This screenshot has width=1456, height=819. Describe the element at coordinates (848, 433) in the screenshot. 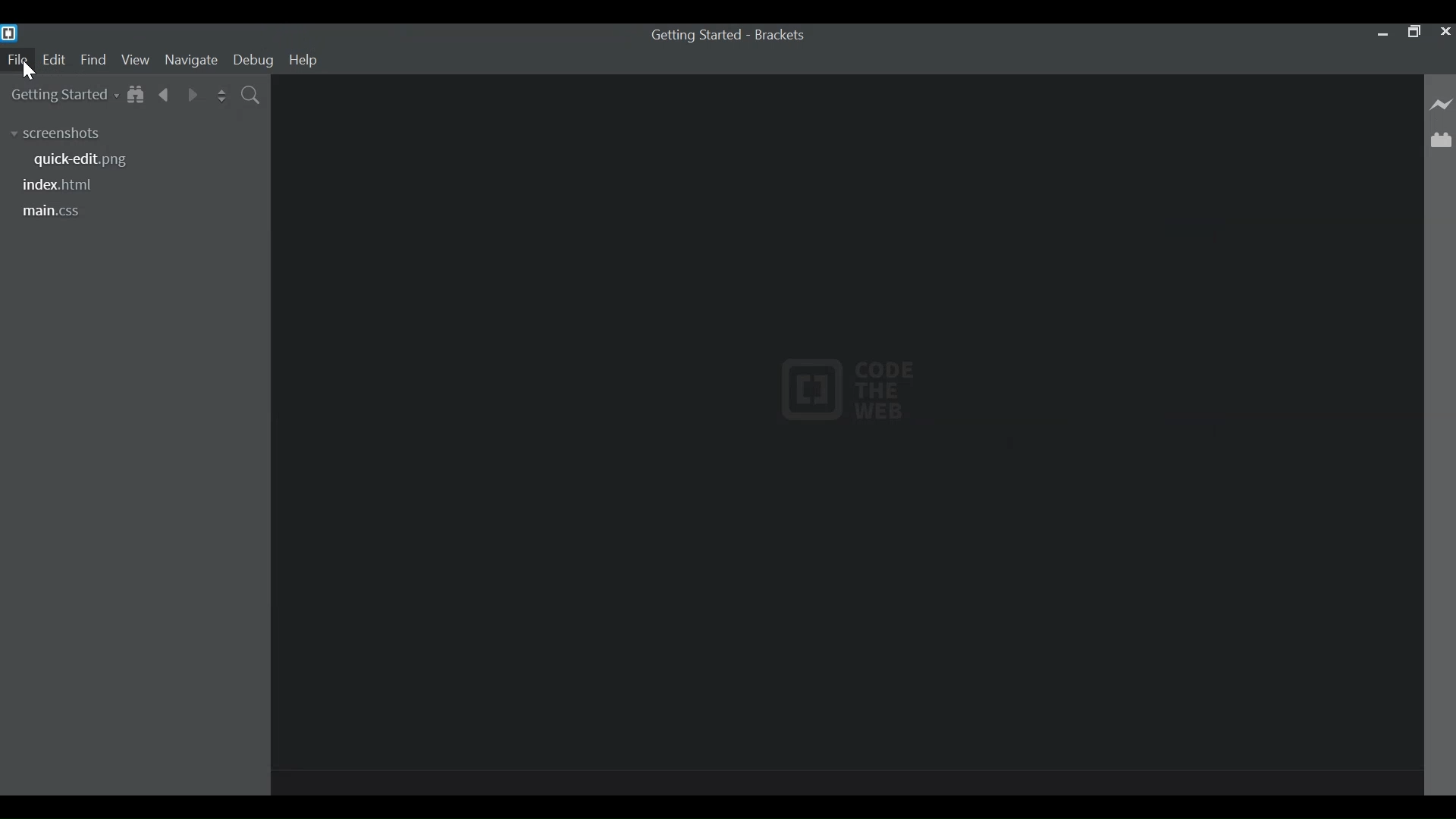

I see `Default Start Screen` at that location.